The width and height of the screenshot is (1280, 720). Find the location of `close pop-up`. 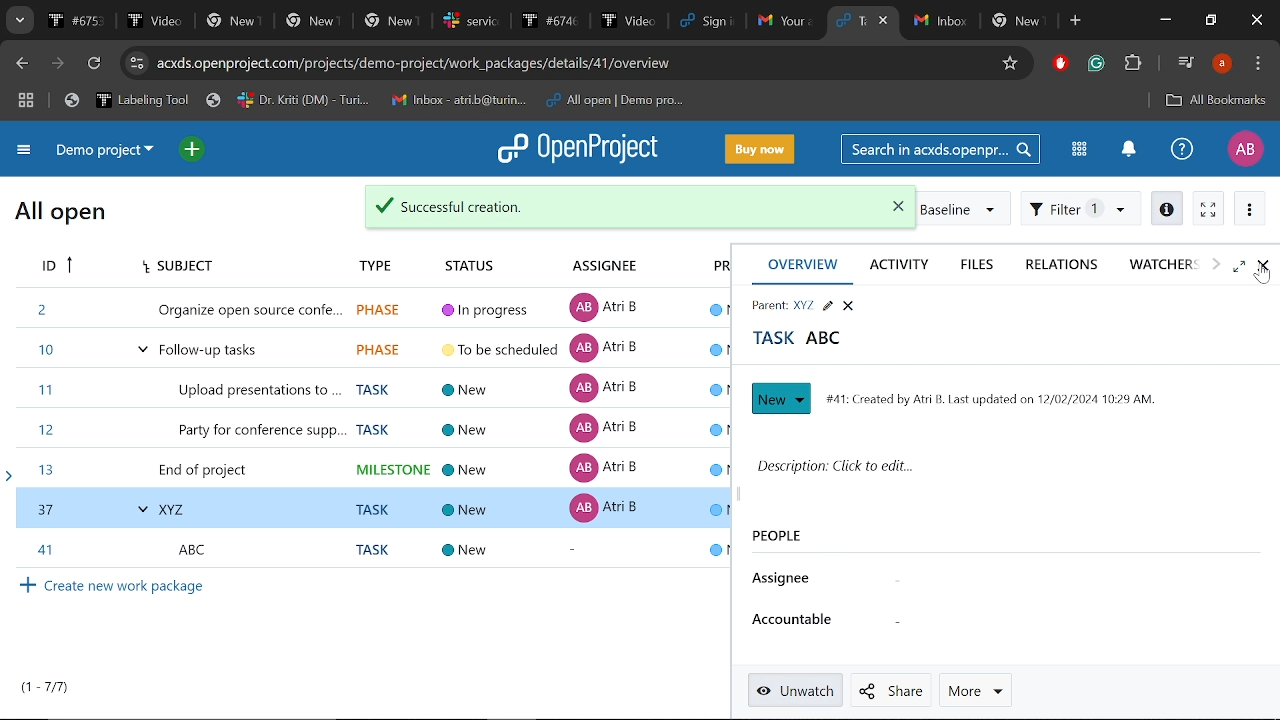

close pop-up is located at coordinates (886, 205).